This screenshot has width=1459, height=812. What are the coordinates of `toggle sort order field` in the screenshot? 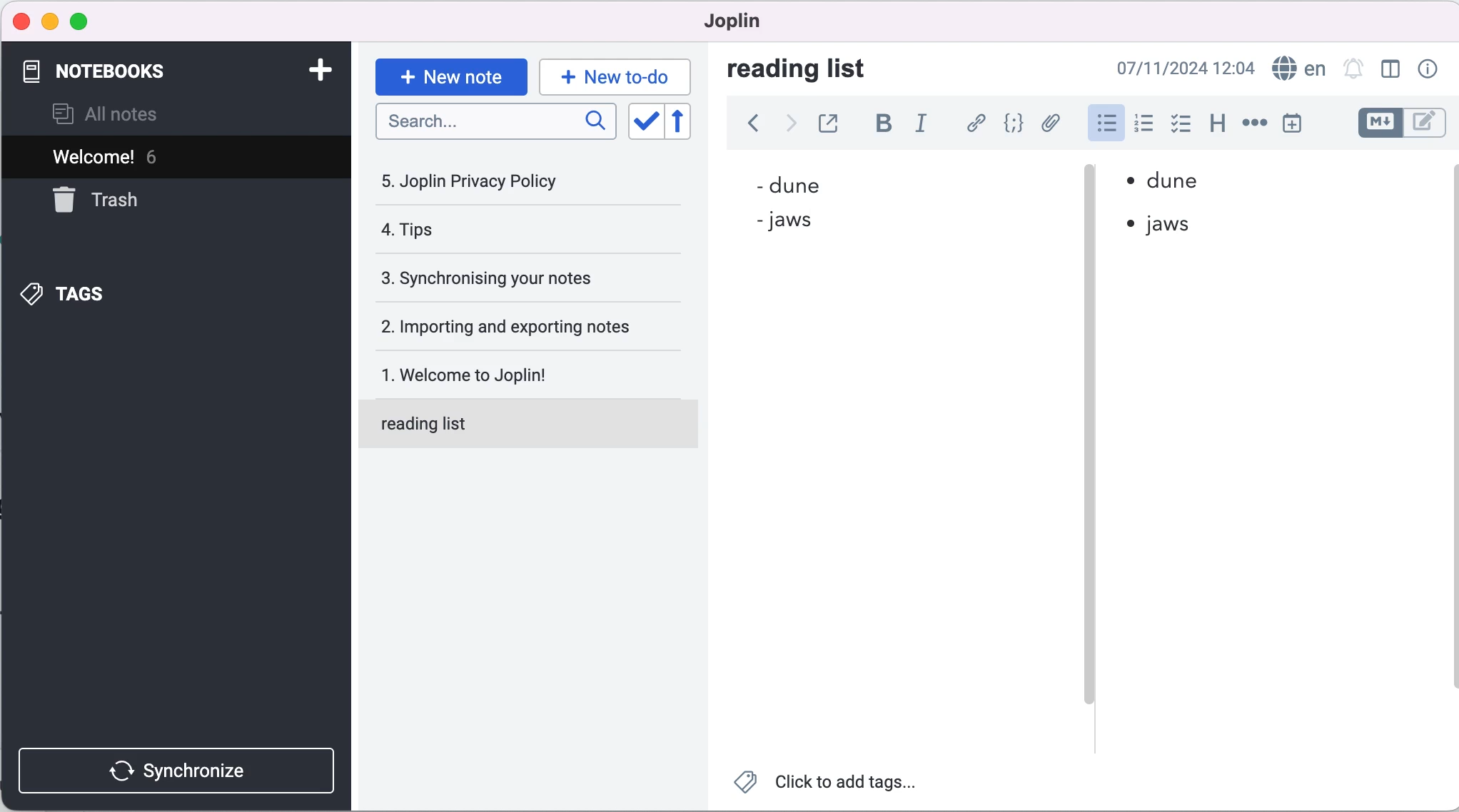 It's located at (645, 123).